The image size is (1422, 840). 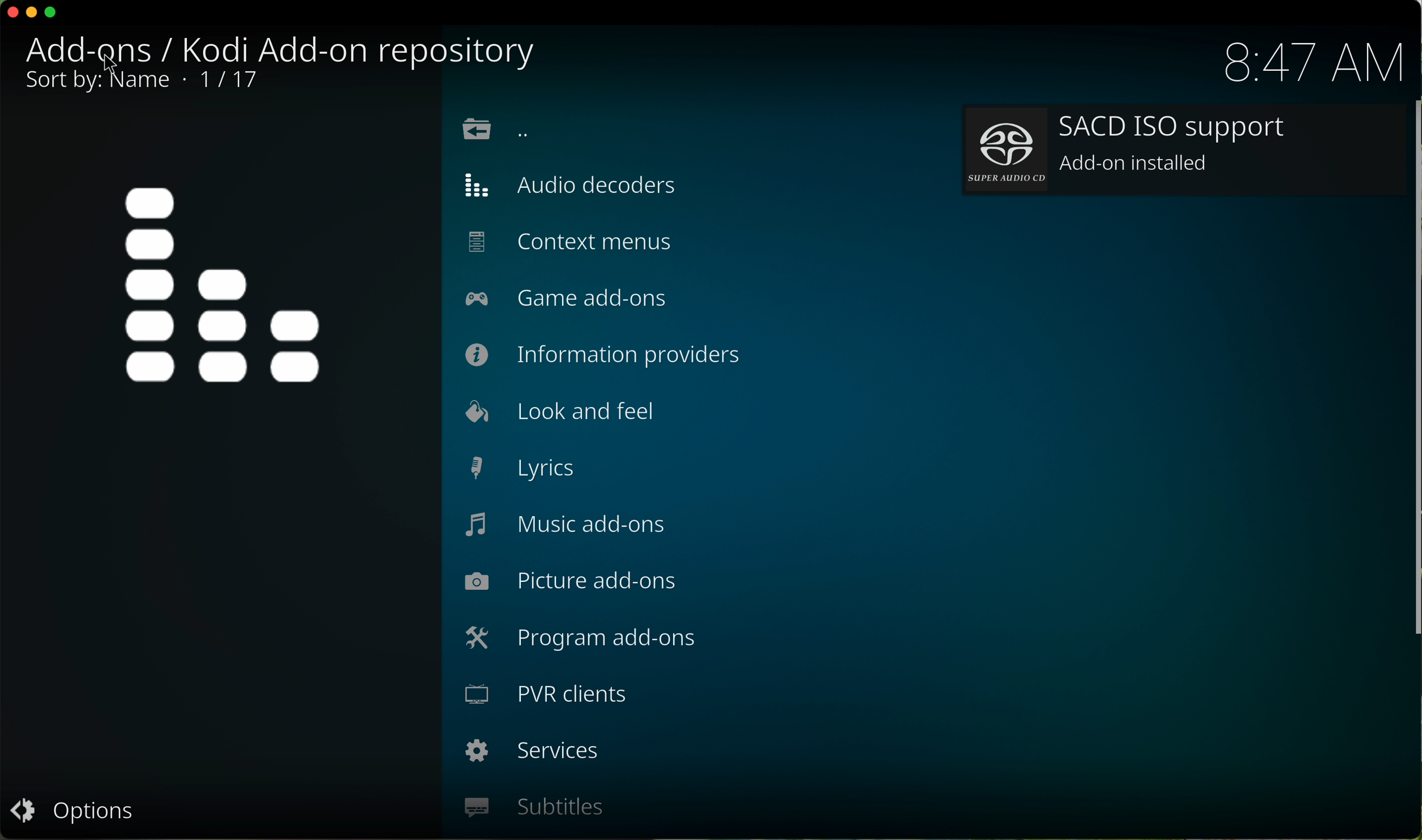 I want to click on click back, so click(x=96, y=48).